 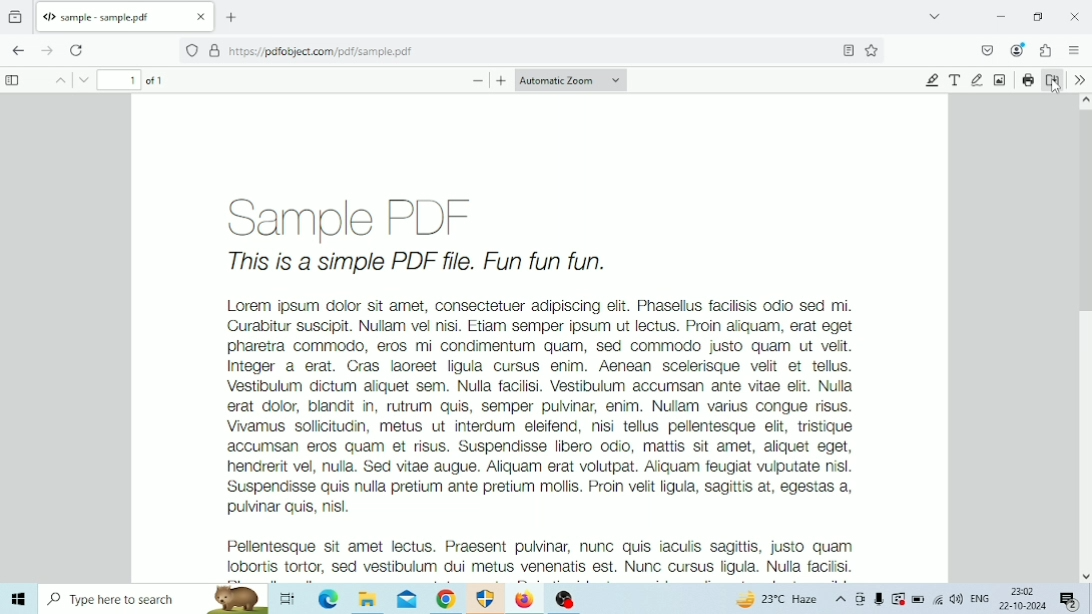 I want to click on Temperature, so click(x=776, y=599).